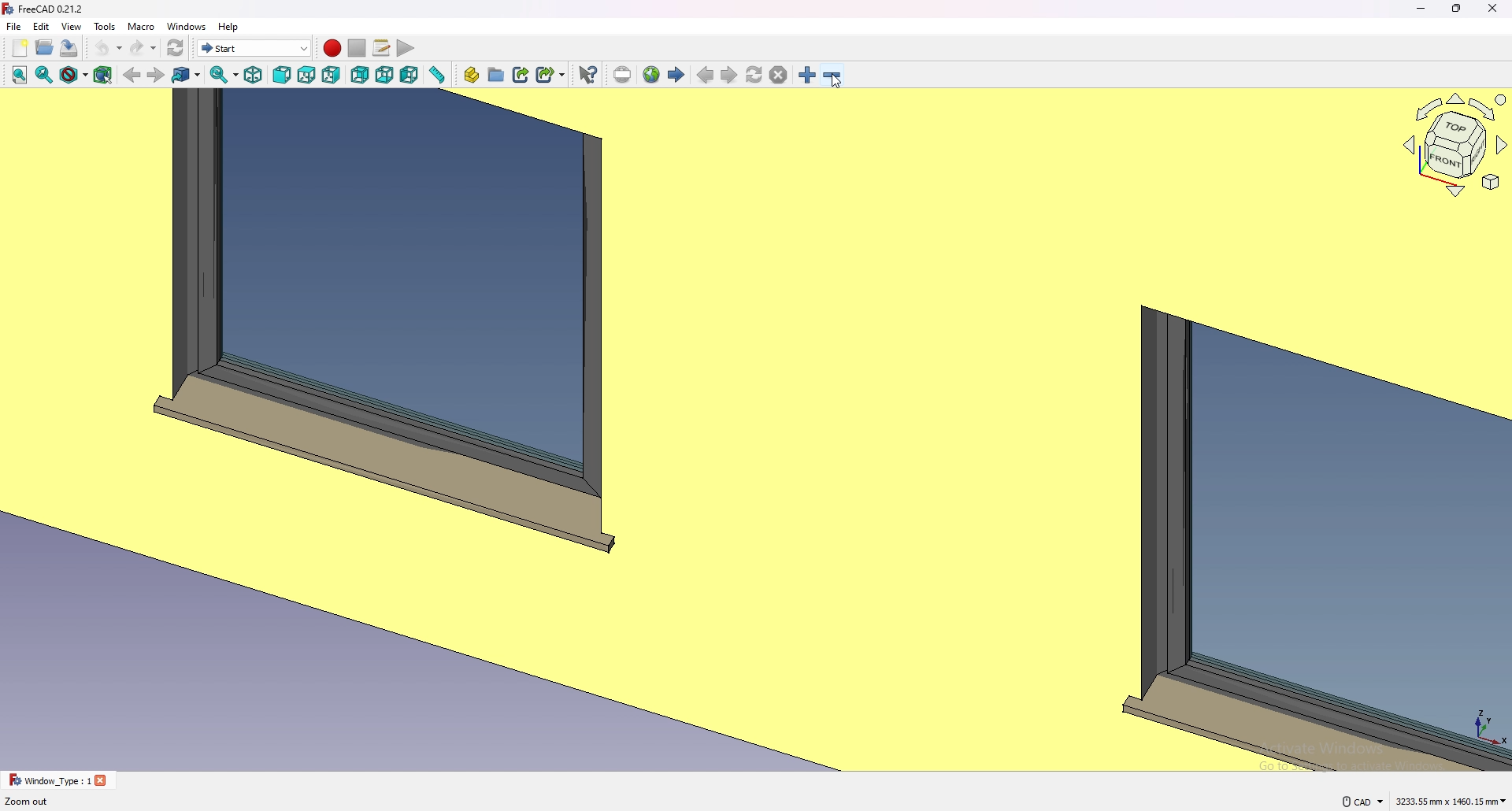 This screenshot has width=1512, height=811. I want to click on freeCAD, so click(42, 9).